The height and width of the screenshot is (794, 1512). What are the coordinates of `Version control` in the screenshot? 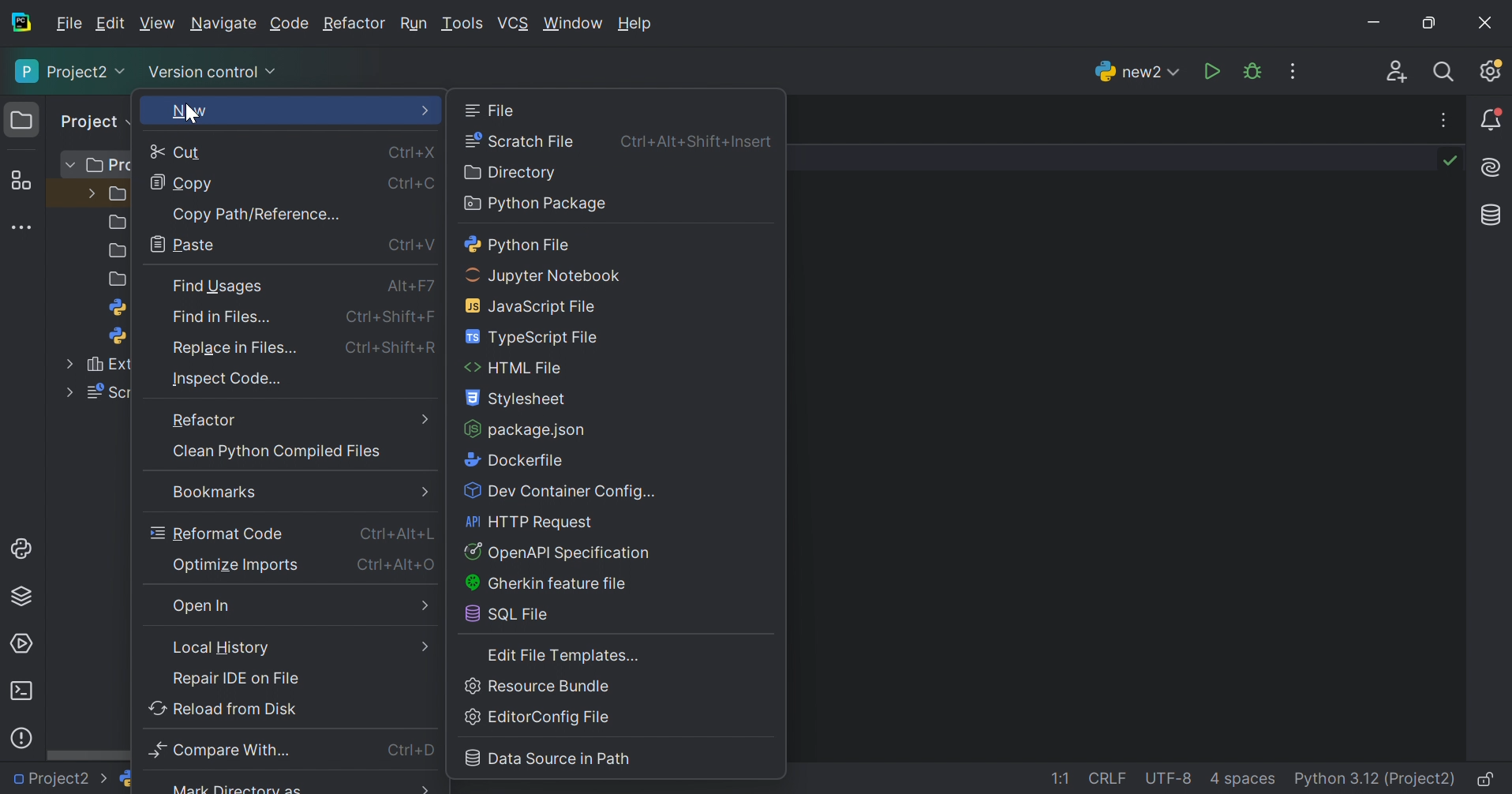 It's located at (215, 73).